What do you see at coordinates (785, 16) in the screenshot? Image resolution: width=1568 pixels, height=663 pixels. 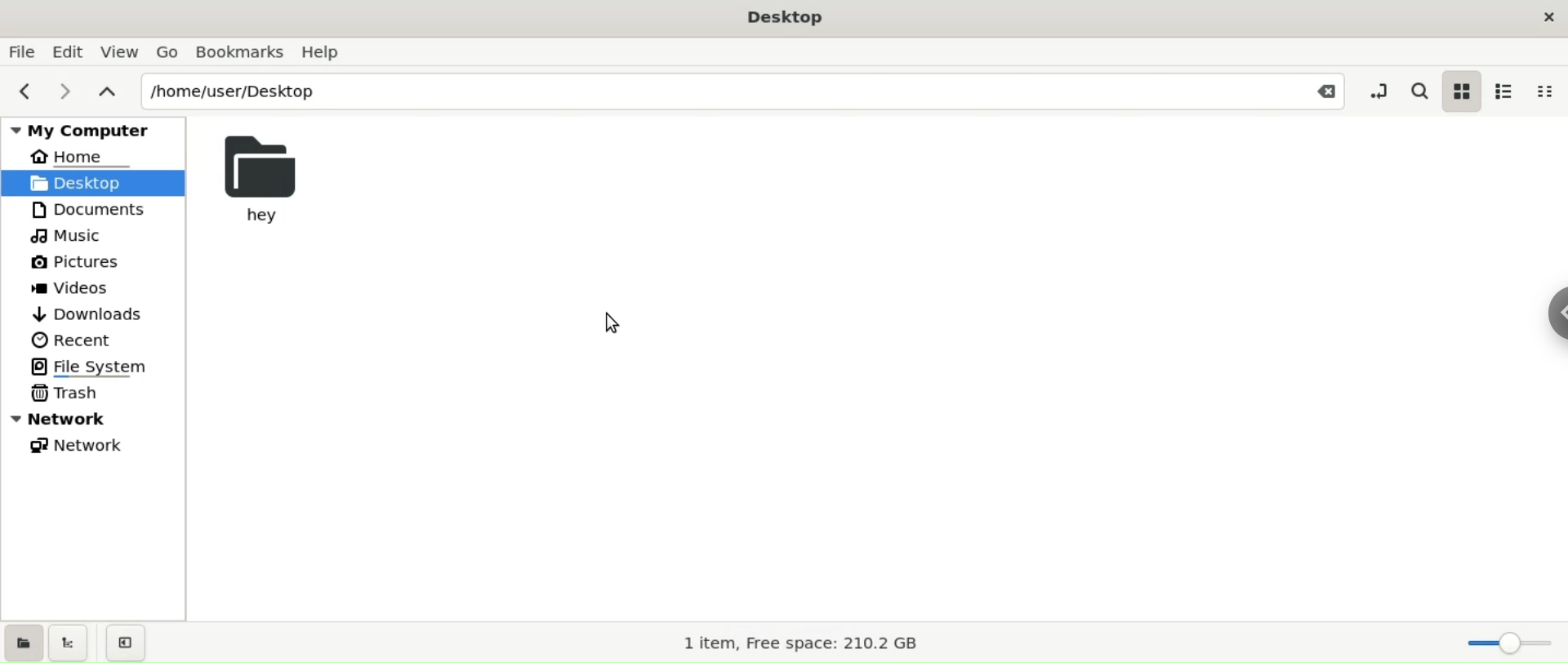 I see `desktop` at bounding box center [785, 16].